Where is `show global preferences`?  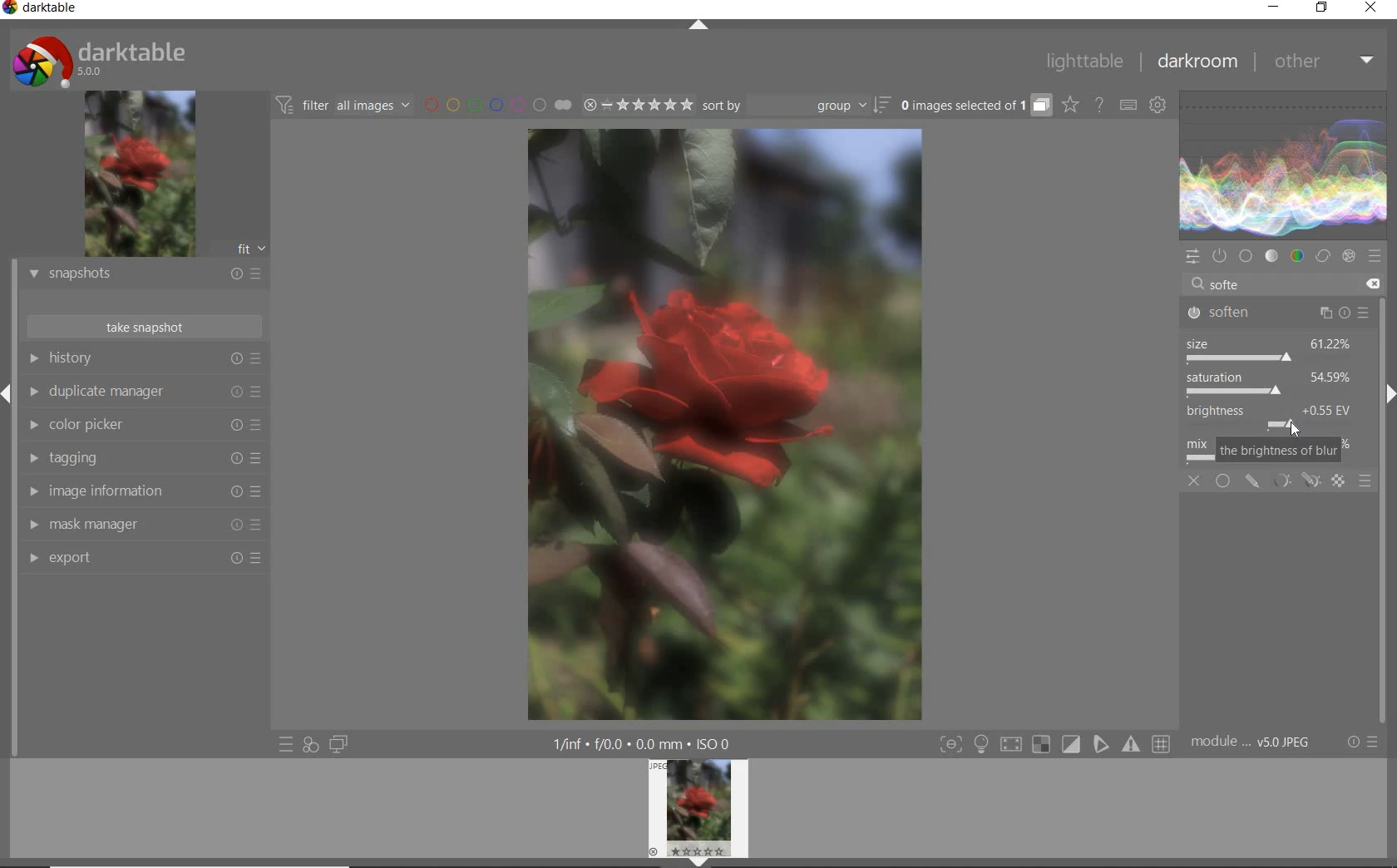 show global preferences is located at coordinates (1157, 106).